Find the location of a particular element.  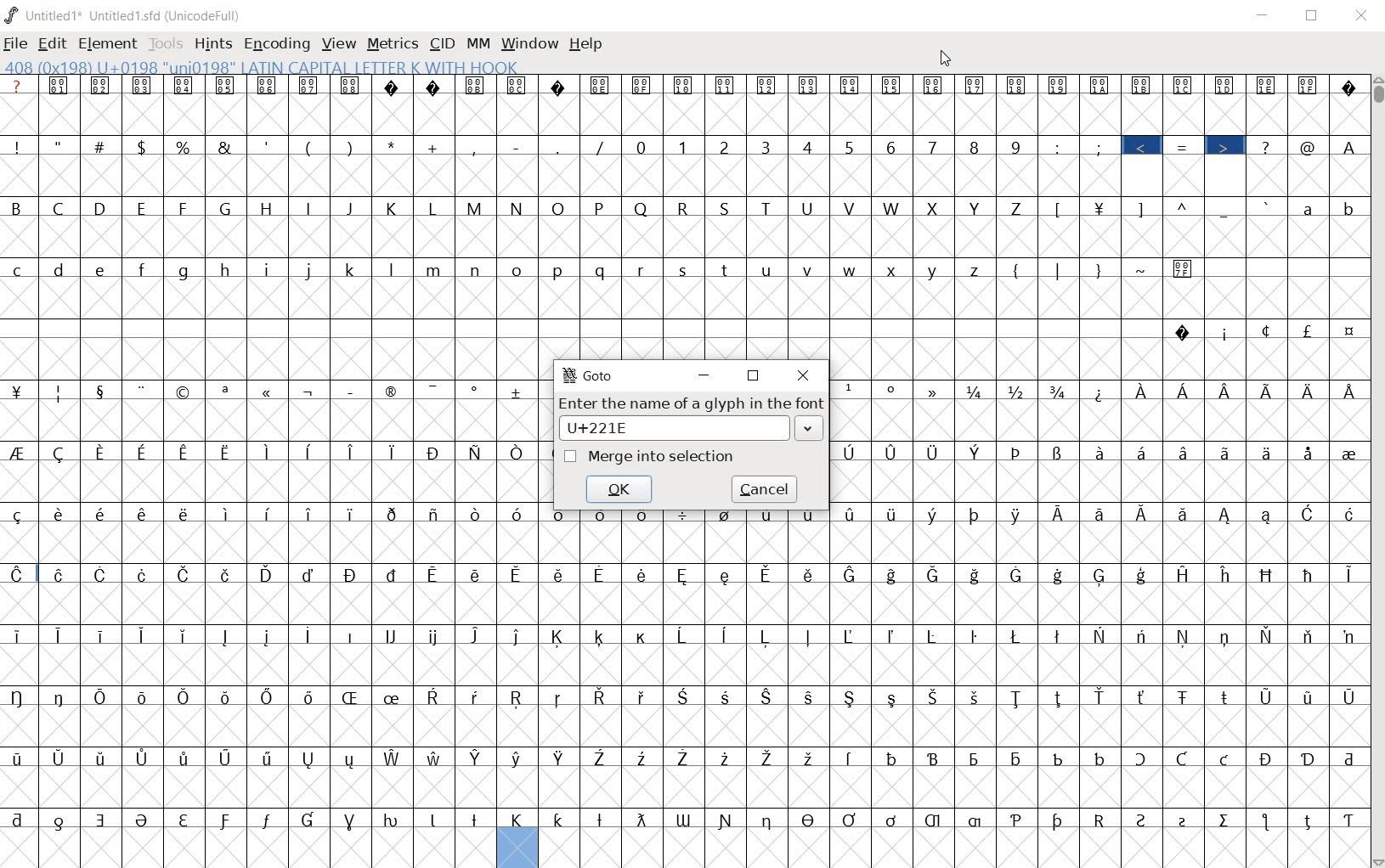

restore down is located at coordinates (1314, 18).